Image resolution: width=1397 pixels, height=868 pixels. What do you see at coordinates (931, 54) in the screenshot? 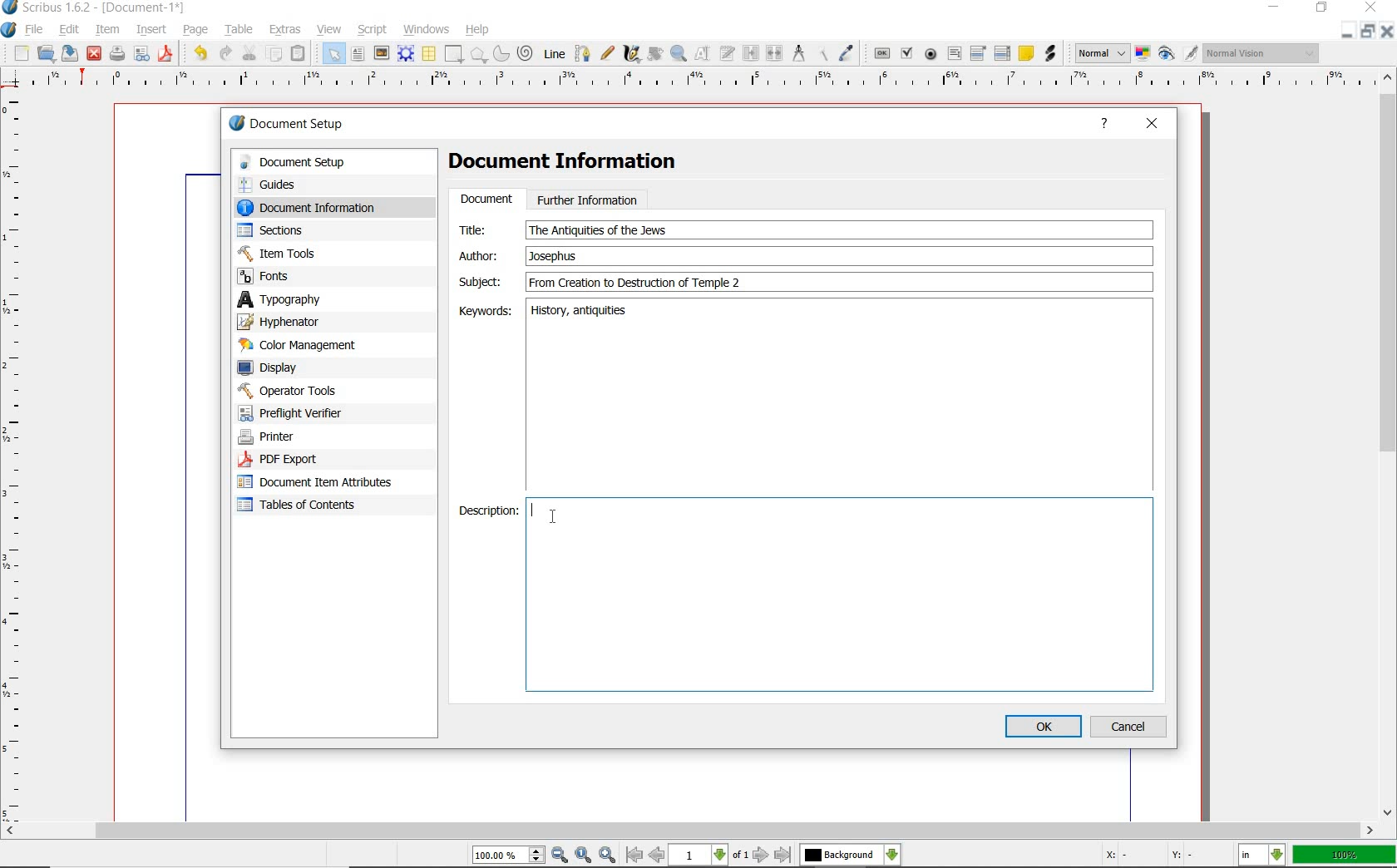
I see `pdf radio button` at bounding box center [931, 54].